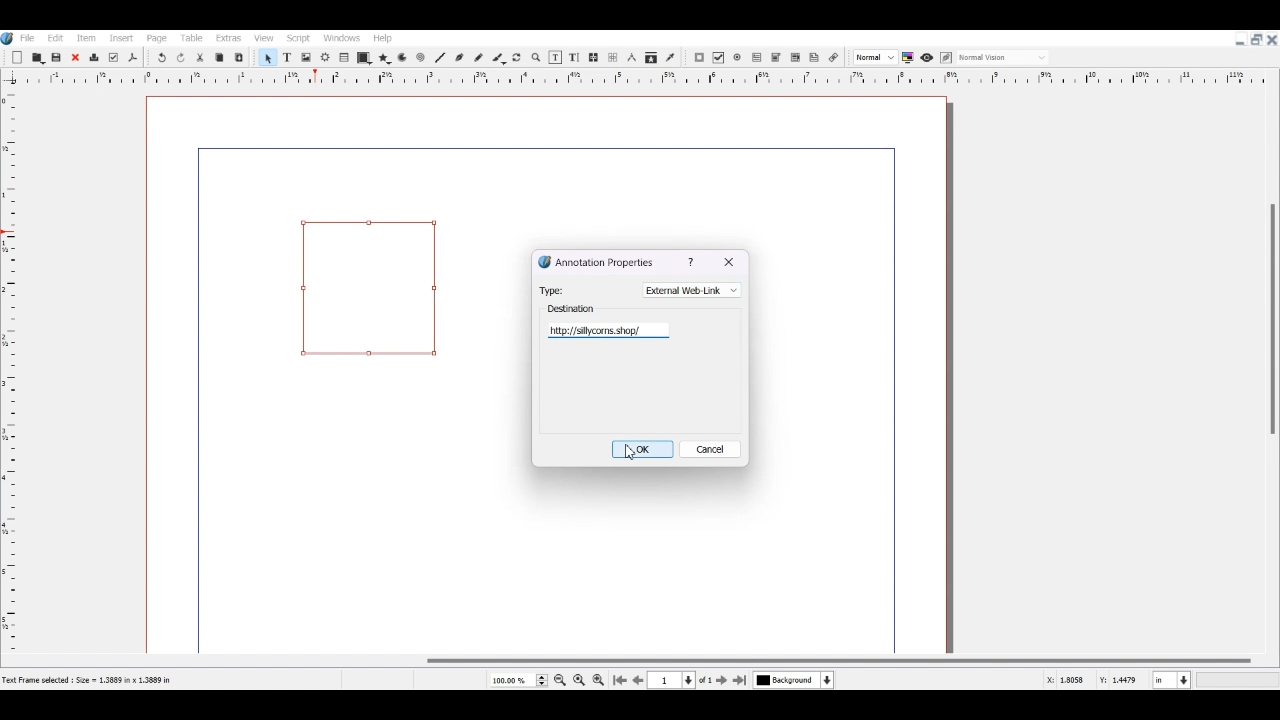  I want to click on Insert, so click(120, 38).